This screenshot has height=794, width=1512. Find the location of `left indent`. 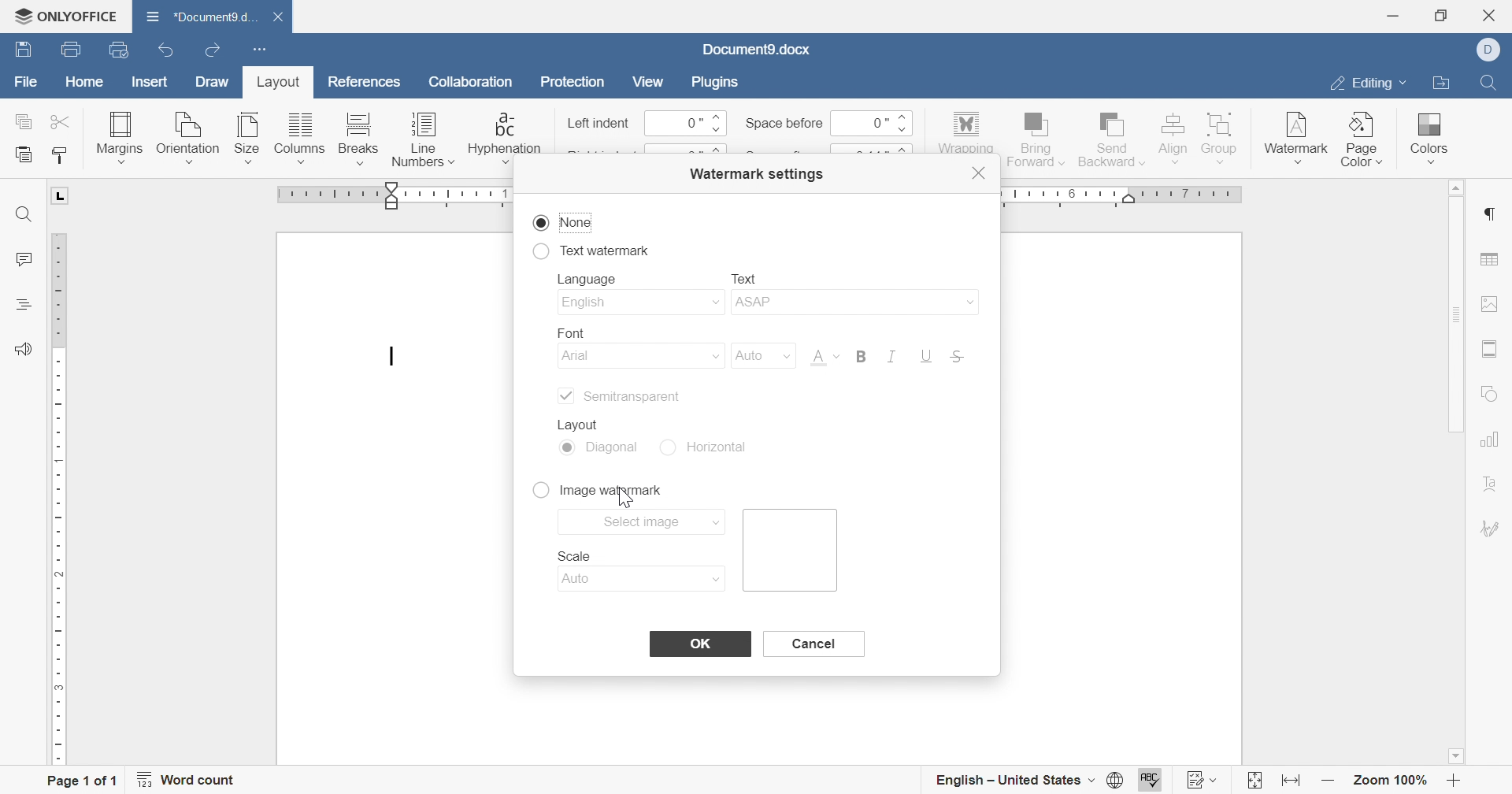

left indent is located at coordinates (599, 124).